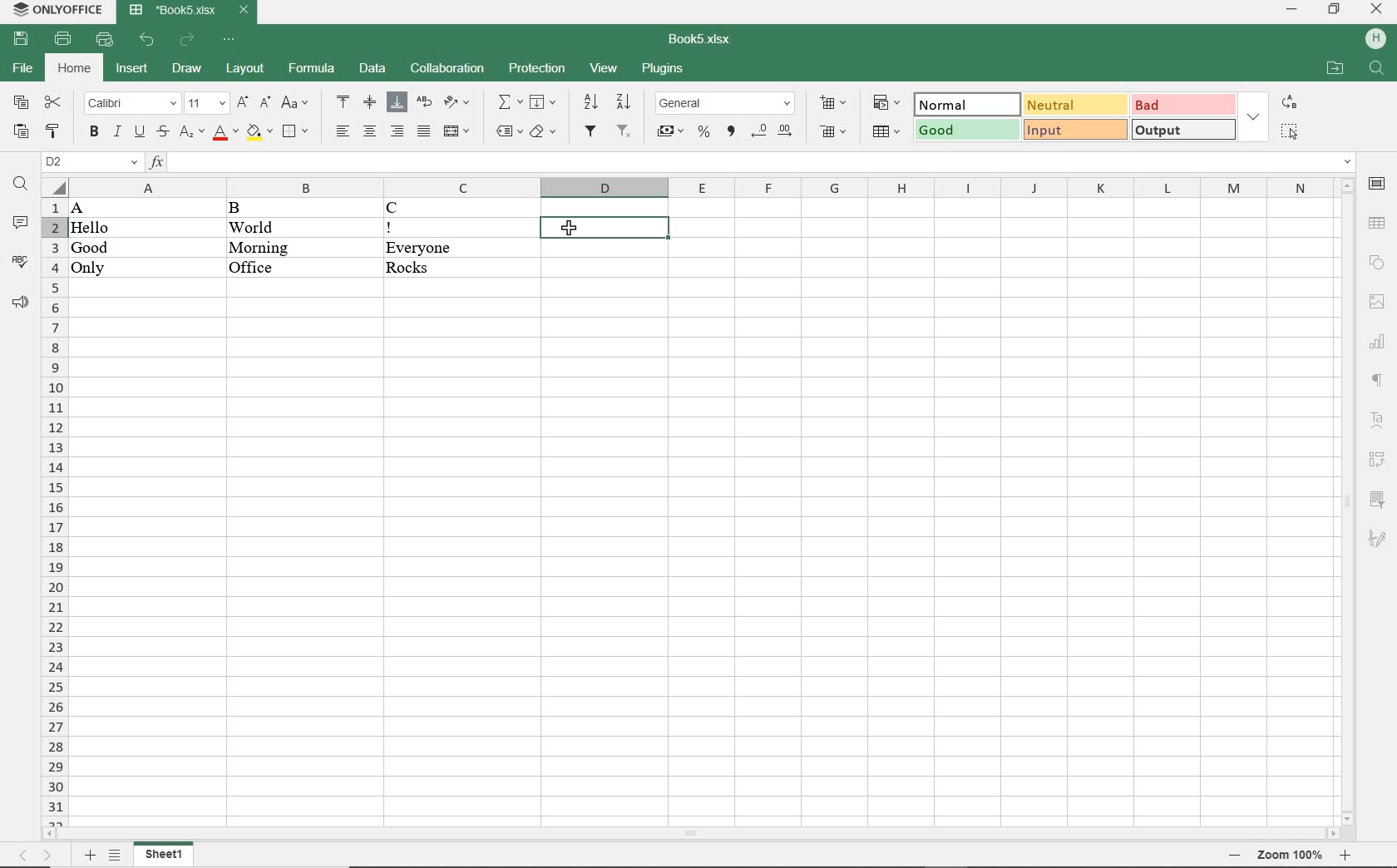 Image resolution: width=1397 pixels, height=868 pixels. Describe the element at coordinates (1073, 130) in the screenshot. I see `INPUT` at that location.